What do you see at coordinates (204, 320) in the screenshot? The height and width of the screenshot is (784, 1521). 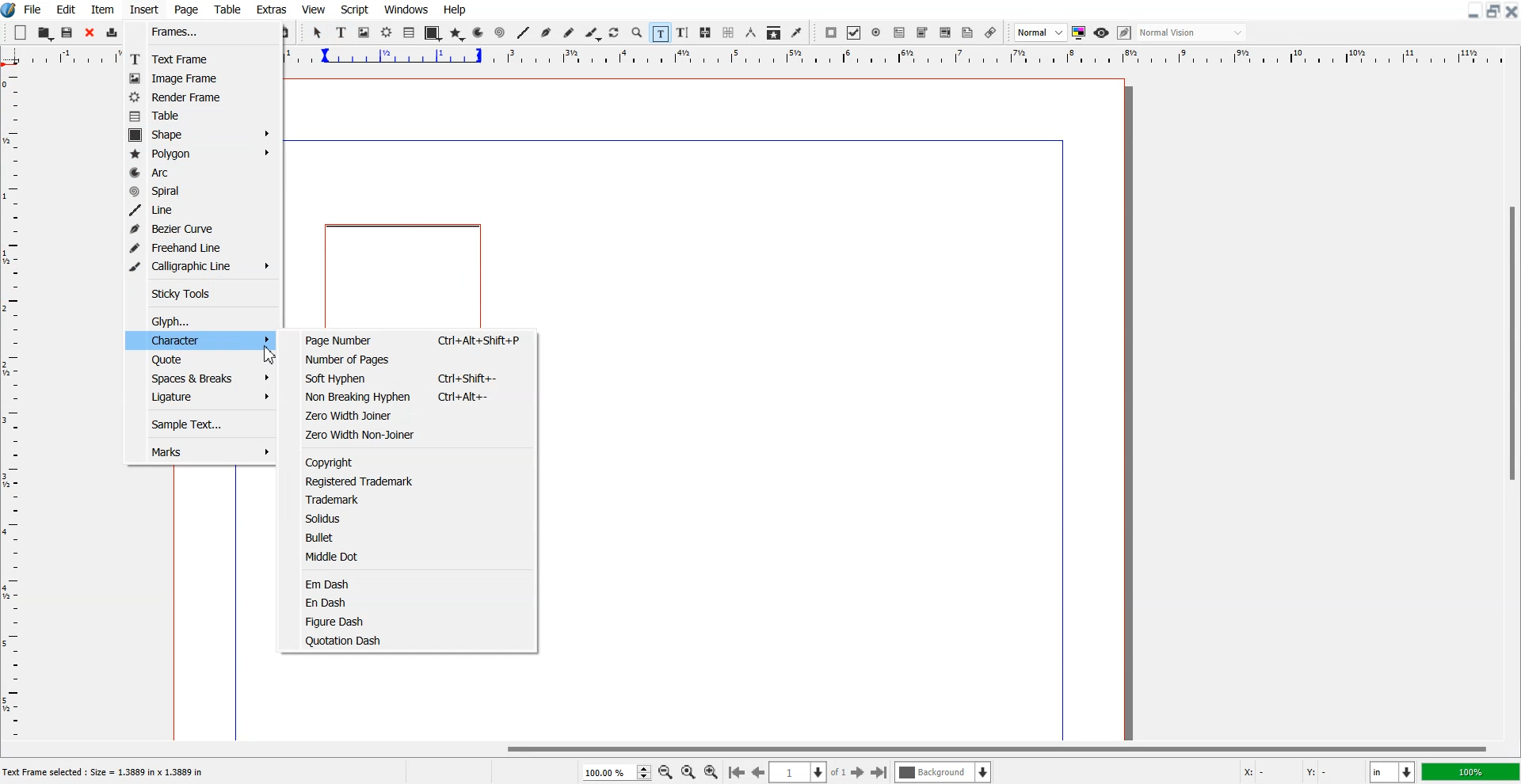 I see `Glyph` at bounding box center [204, 320].